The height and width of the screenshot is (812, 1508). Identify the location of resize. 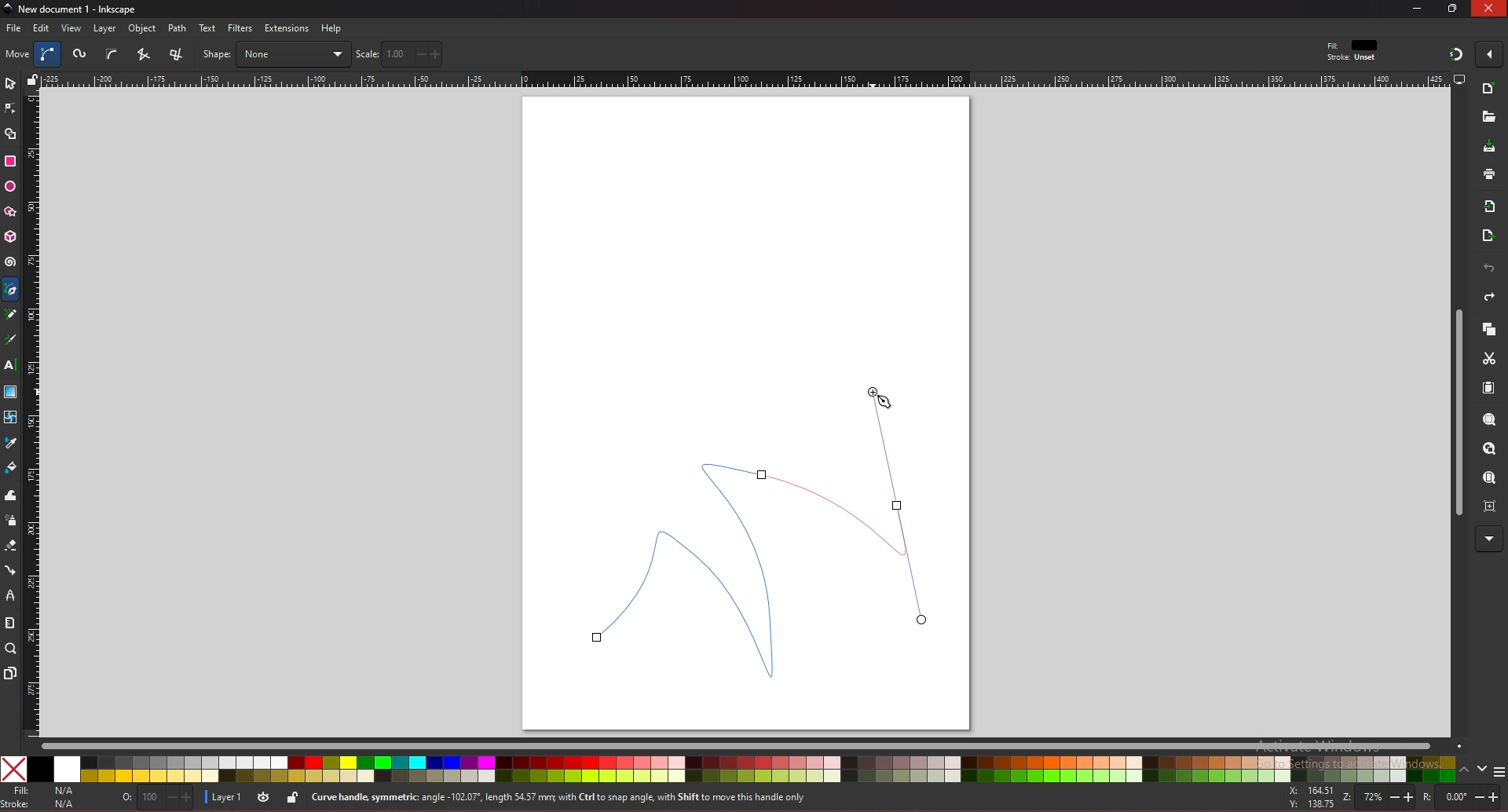
(1455, 8).